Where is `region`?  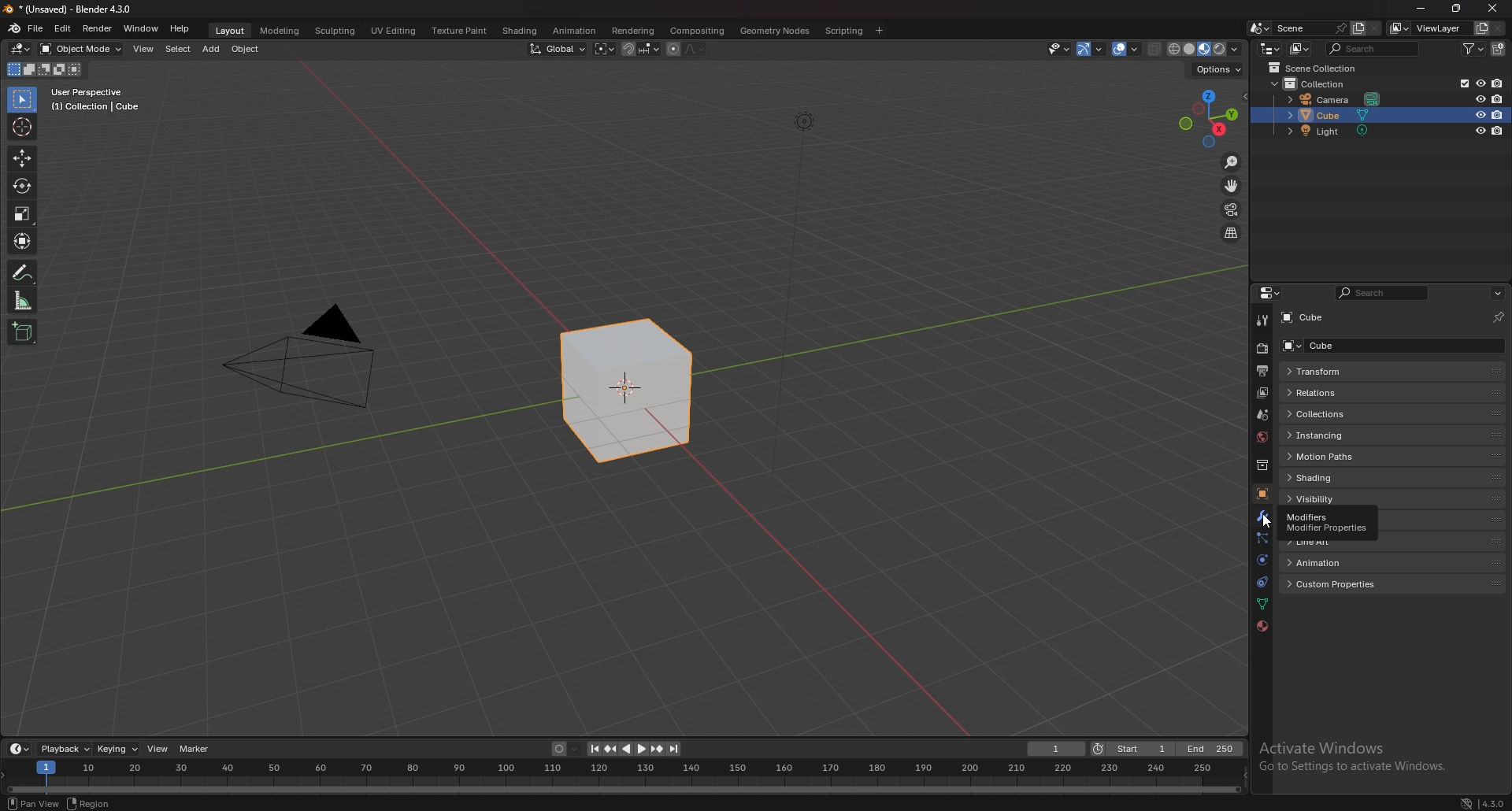
region is located at coordinates (97, 803).